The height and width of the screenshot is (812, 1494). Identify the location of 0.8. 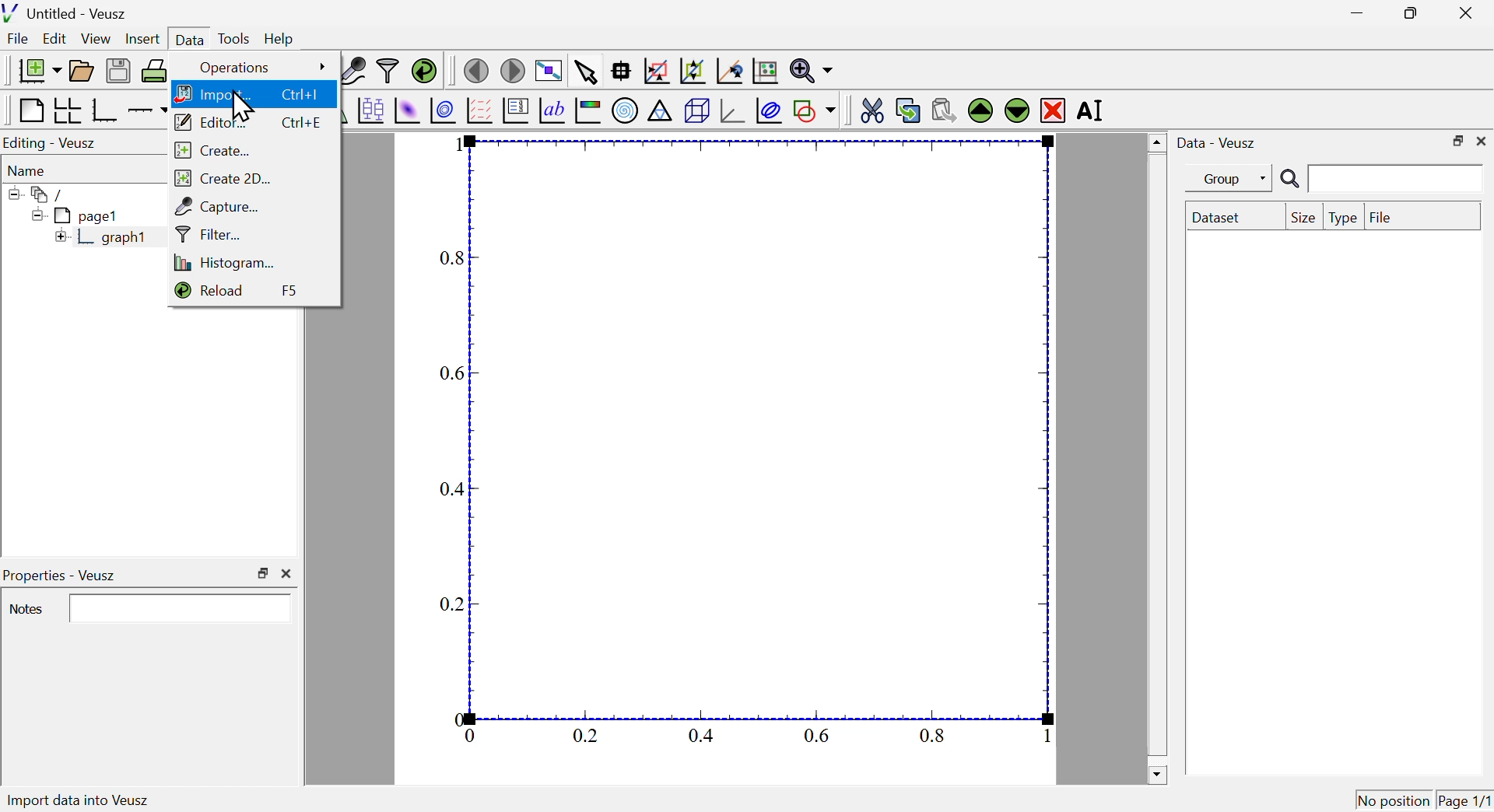
(932, 735).